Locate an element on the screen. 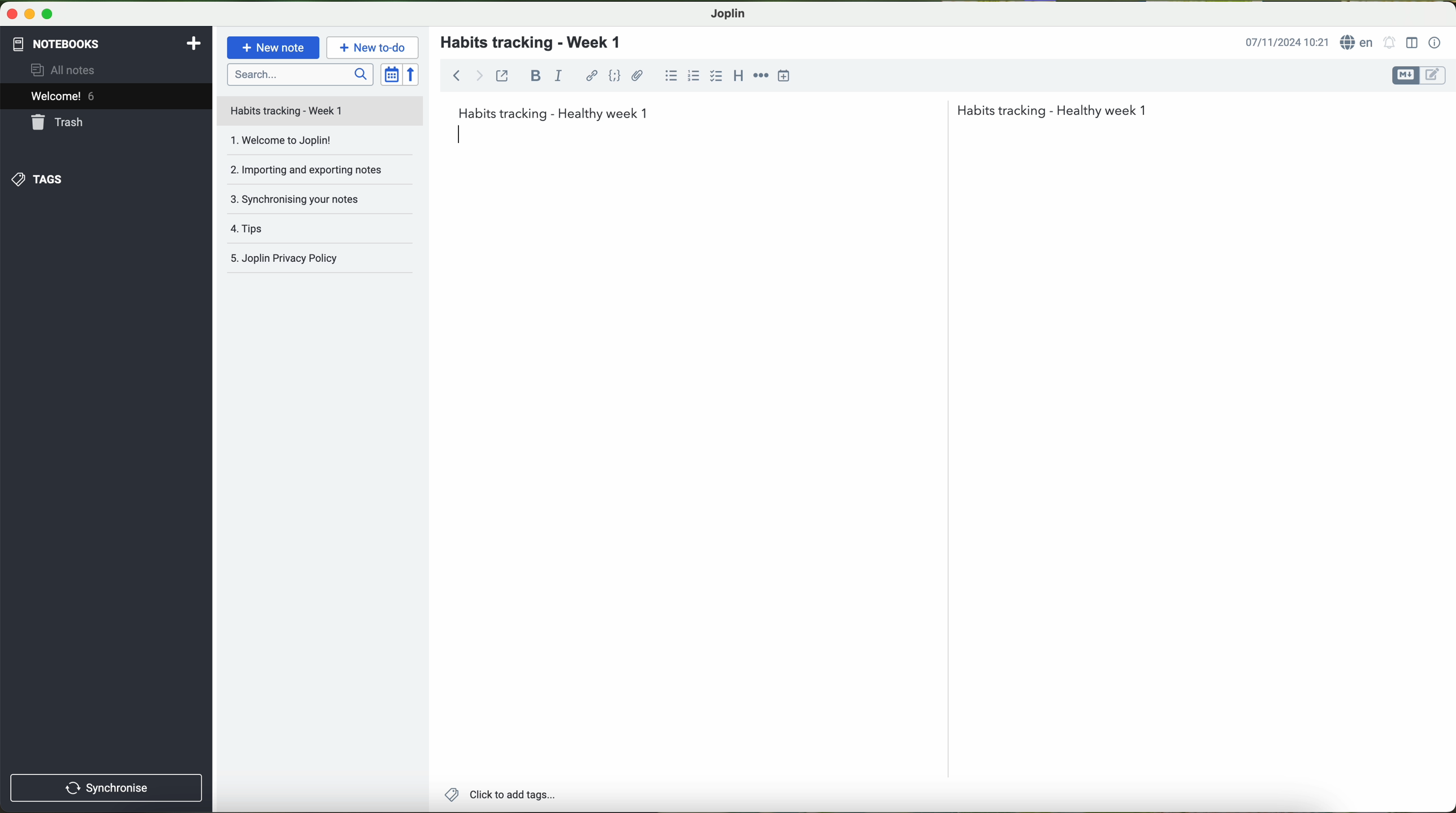  habits tracking week 1 is located at coordinates (803, 111).